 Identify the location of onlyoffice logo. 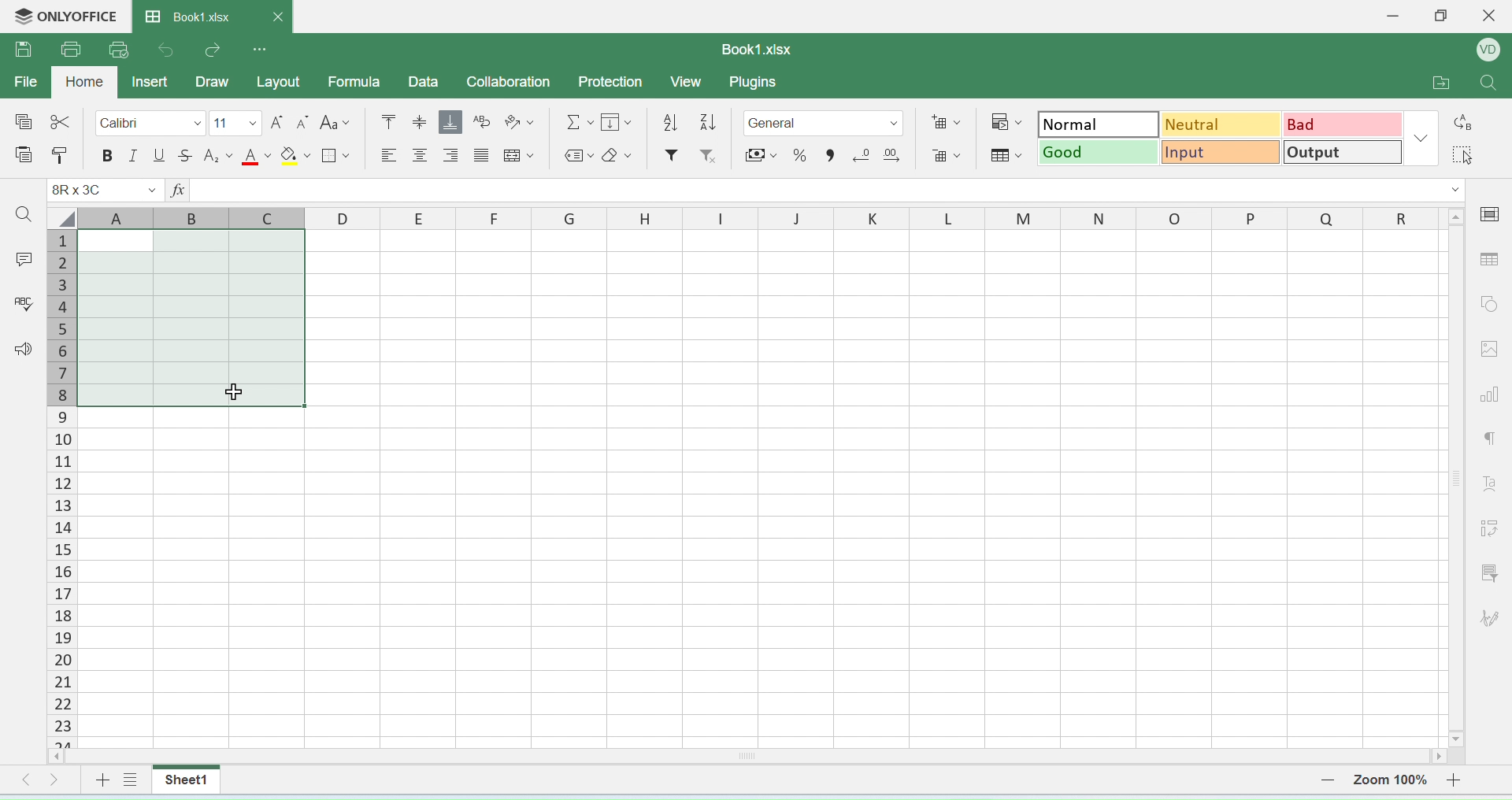
(64, 17).